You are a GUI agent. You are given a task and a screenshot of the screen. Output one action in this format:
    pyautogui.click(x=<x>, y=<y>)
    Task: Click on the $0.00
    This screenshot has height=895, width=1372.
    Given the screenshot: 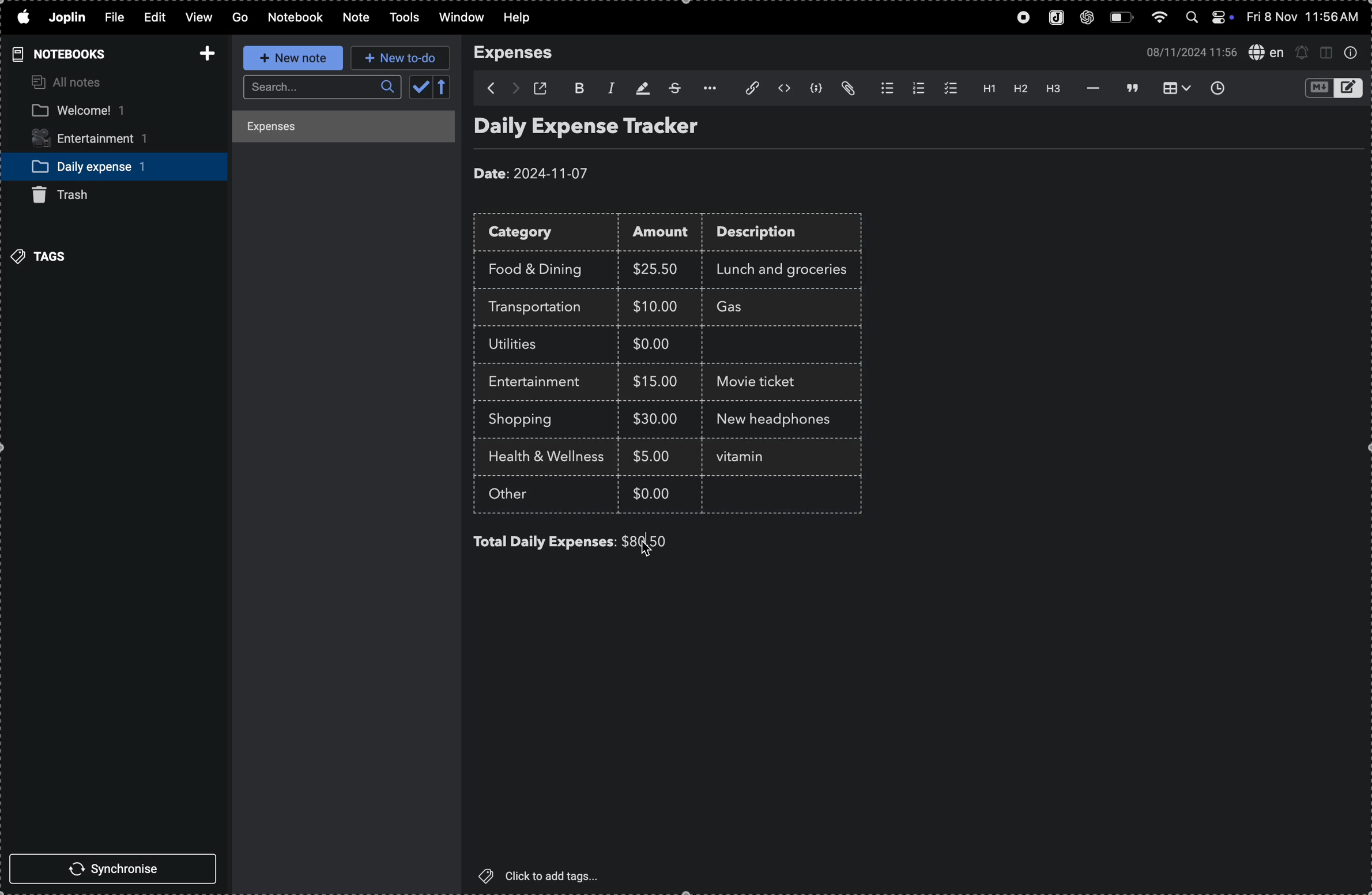 What is the action you would take?
    pyautogui.click(x=654, y=492)
    